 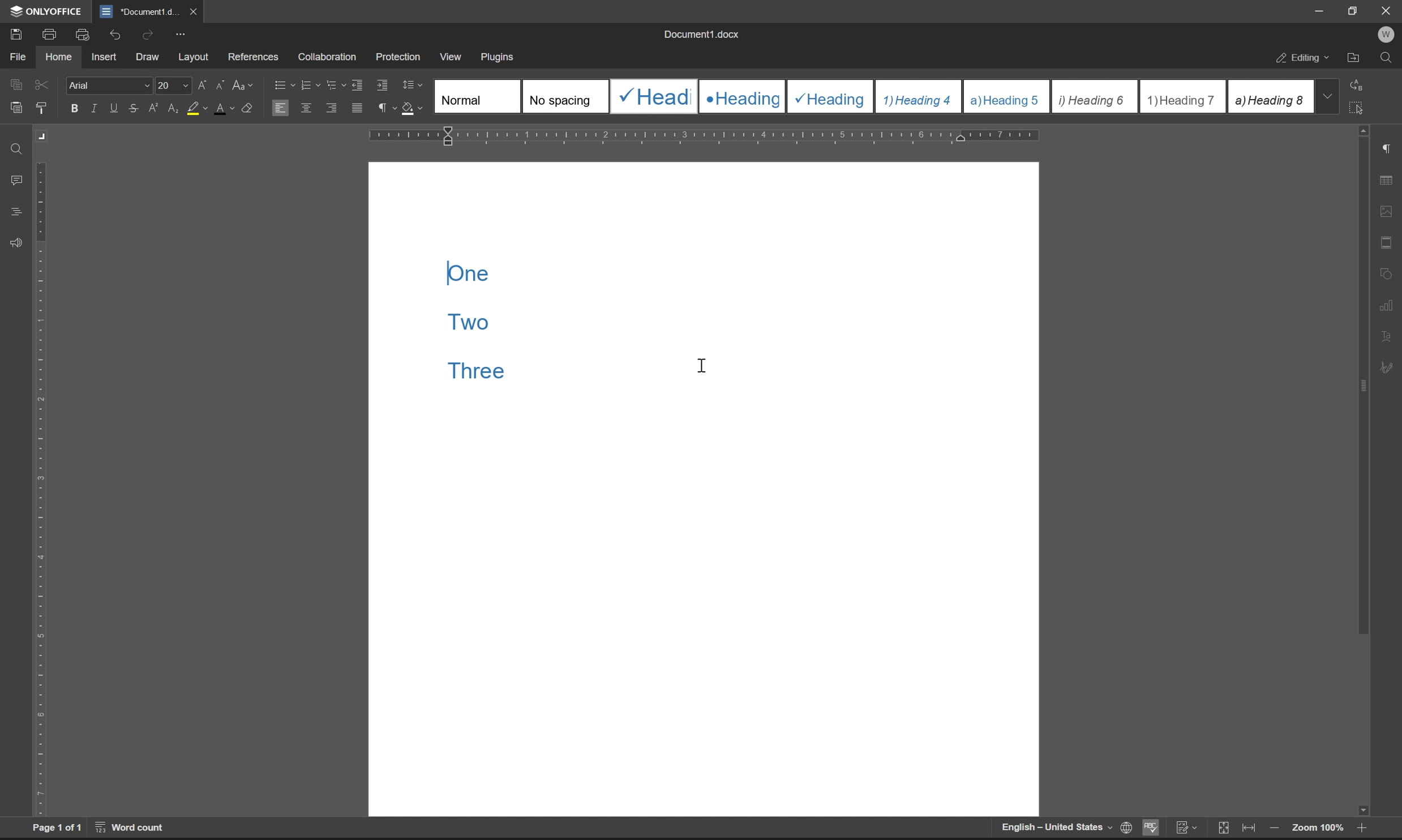 What do you see at coordinates (217, 83) in the screenshot?
I see `decrement font case` at bounding box center [217, 83].